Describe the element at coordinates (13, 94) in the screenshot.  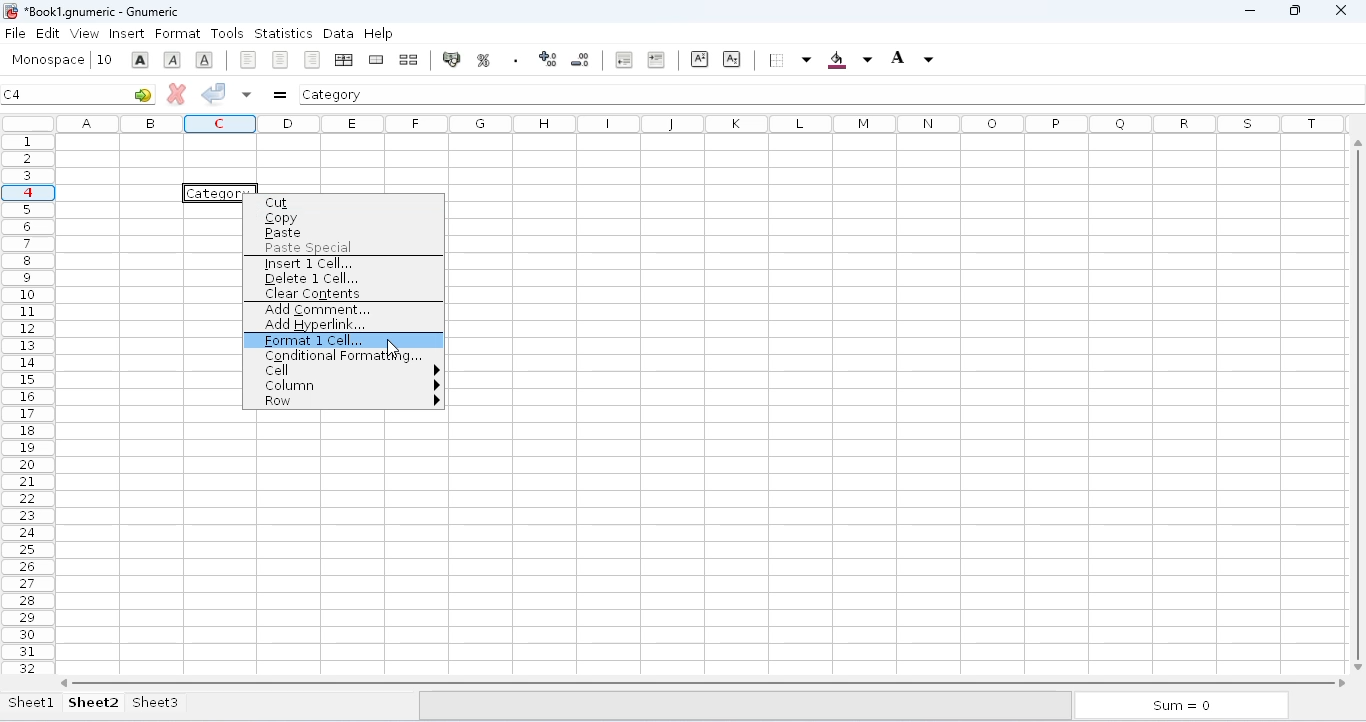
I see `C4` at that location.